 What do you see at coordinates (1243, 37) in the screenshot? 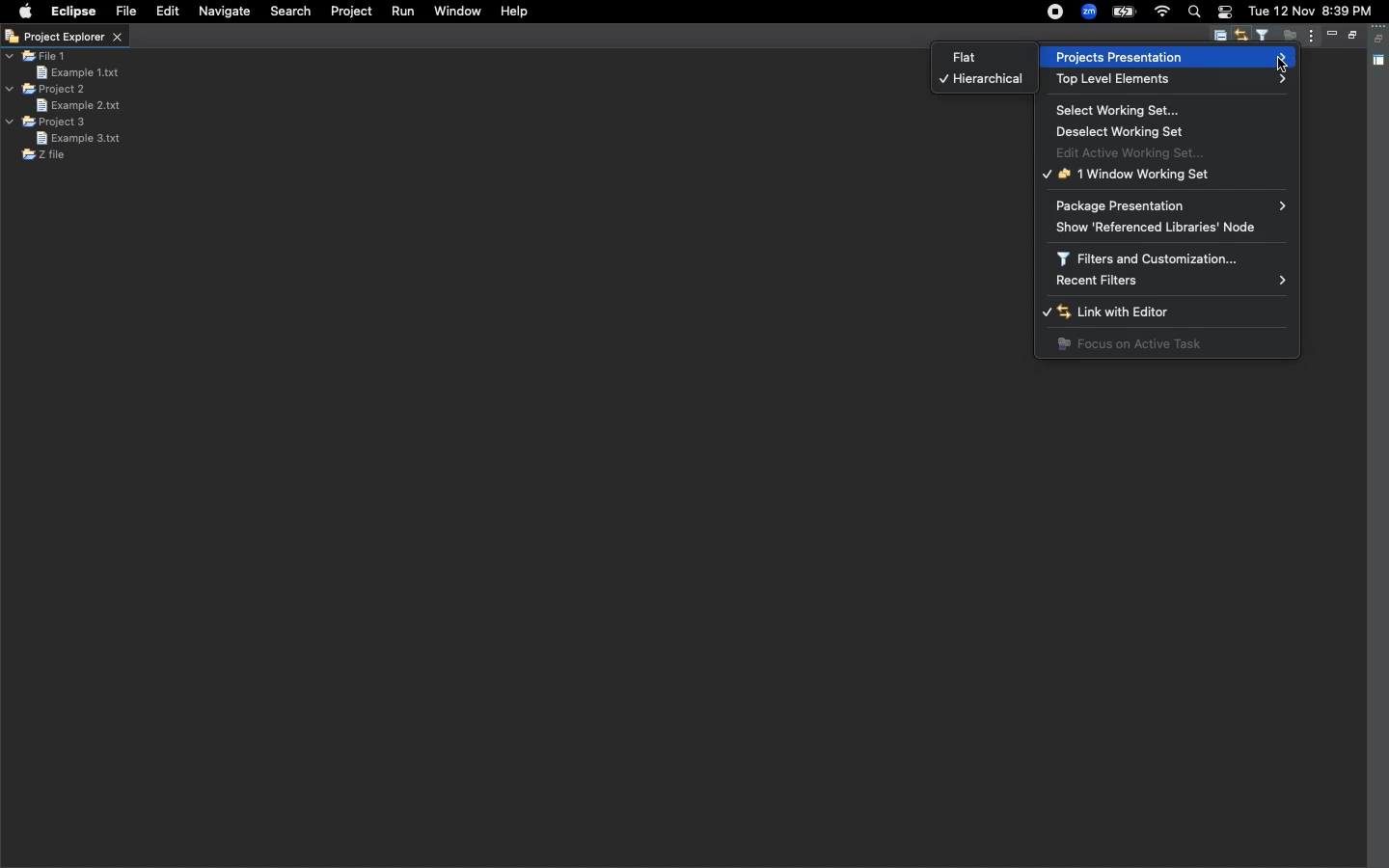
I see `Link with editor` at bounding box center [1243, 37].